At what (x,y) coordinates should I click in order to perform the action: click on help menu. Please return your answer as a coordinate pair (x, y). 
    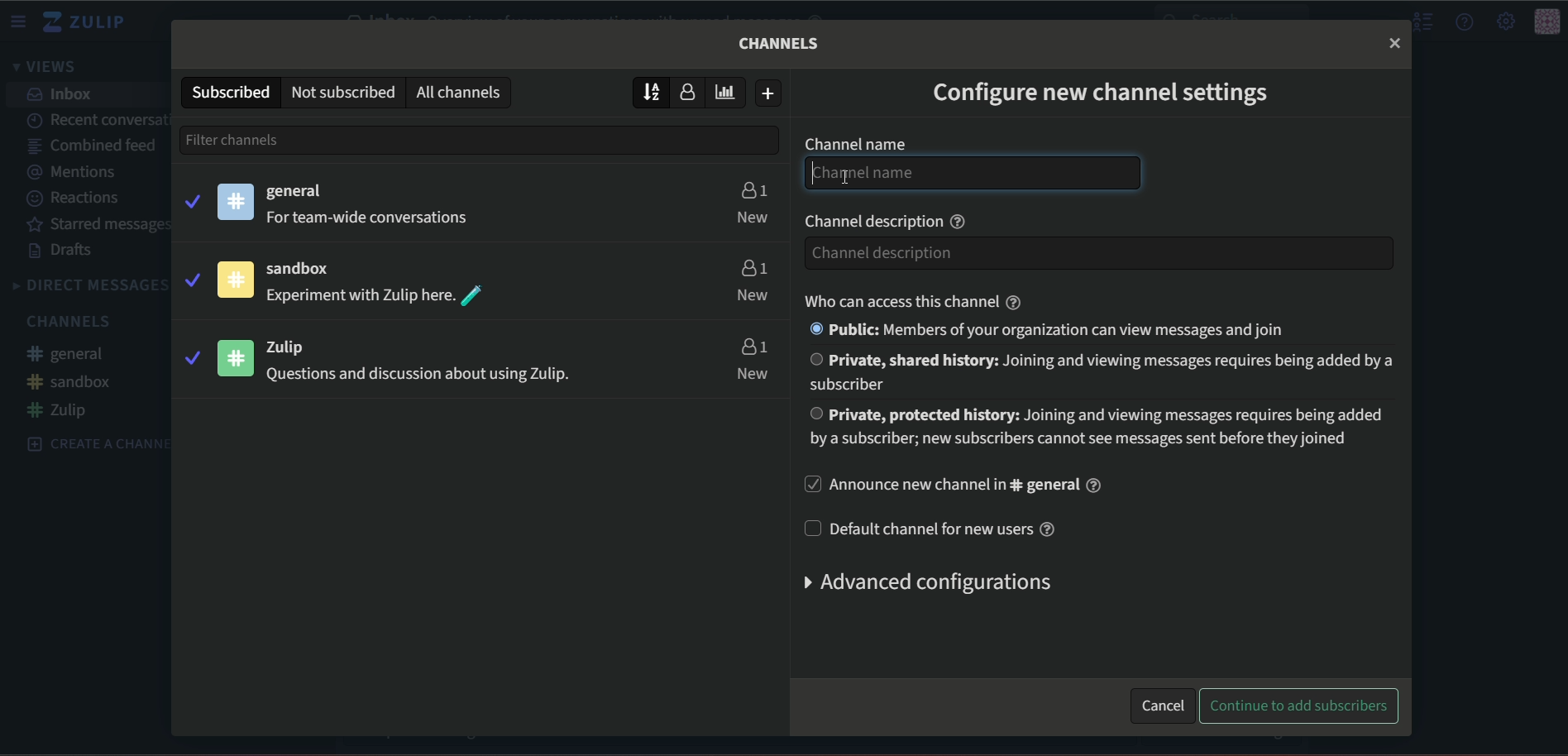
    Looking at the image, I should click on (1465, 22).